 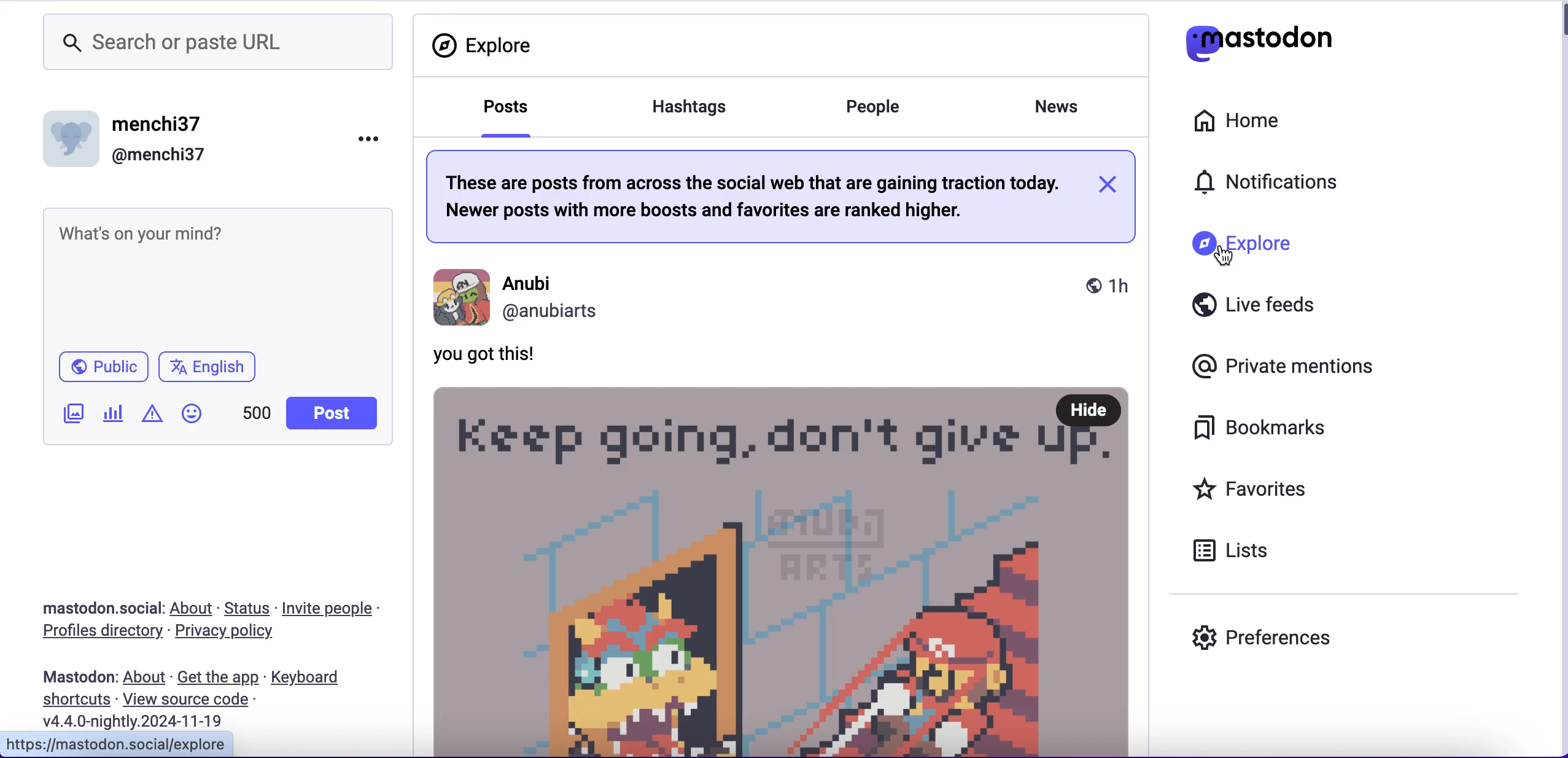 I want to click on mastodon logo, so click(x=1256, y=40).